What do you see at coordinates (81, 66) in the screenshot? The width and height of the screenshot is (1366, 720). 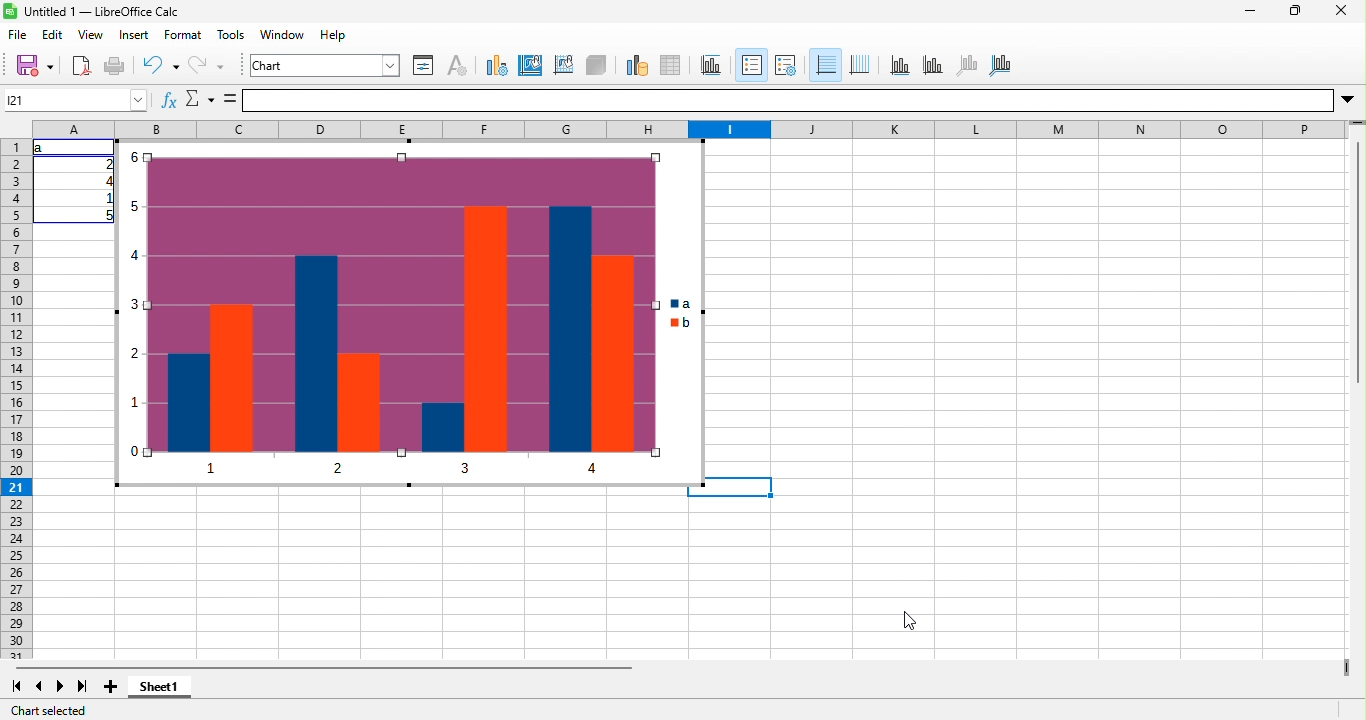 I see `export directly as pdf` at bounding box center [81, 66].